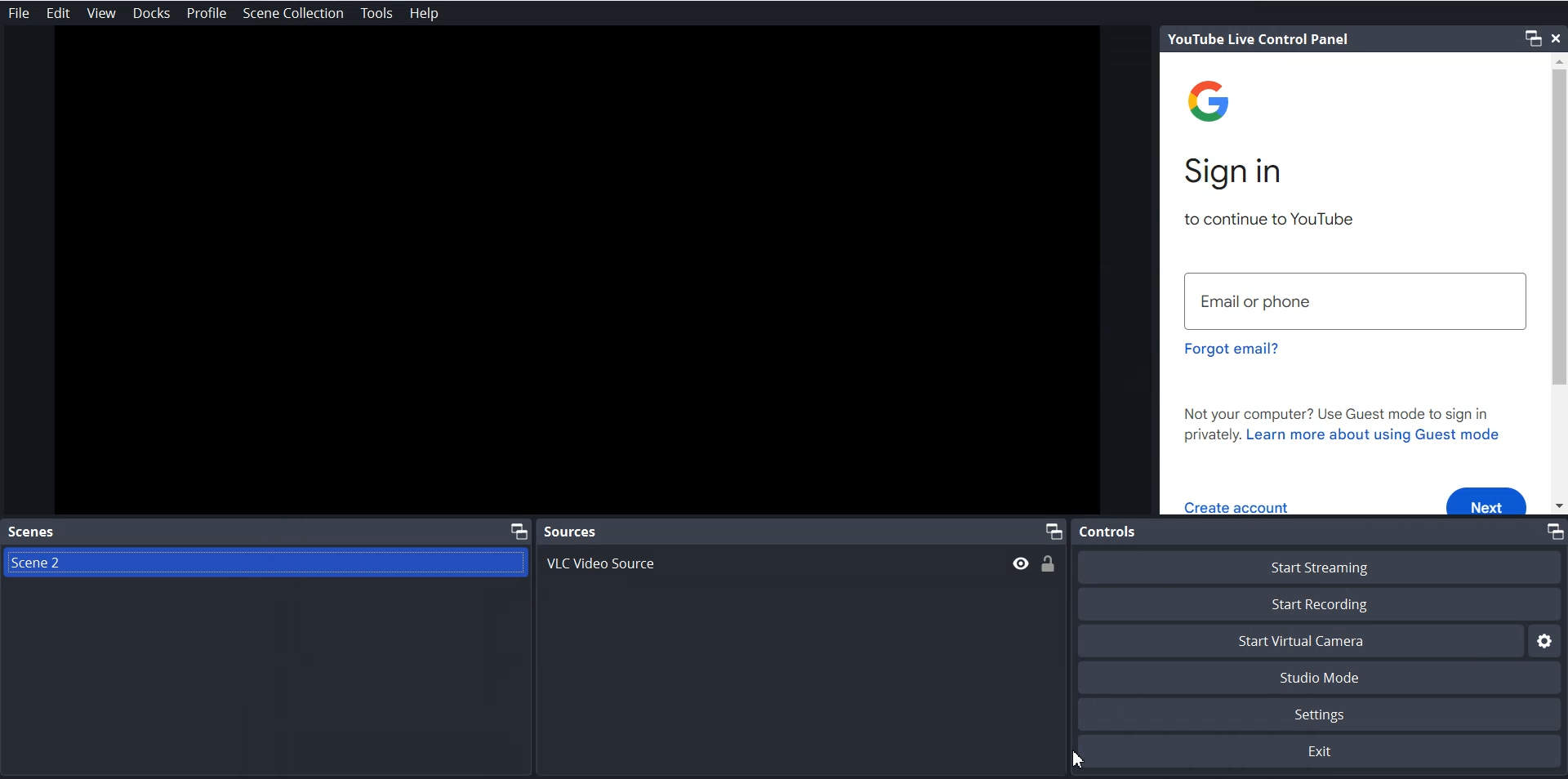 Image resolution: width=1568 pixels, height=779 pixels. Describe the element at coordinates (1299, 641) in the screenshot. I see `Start Virtual Camera` at that location.